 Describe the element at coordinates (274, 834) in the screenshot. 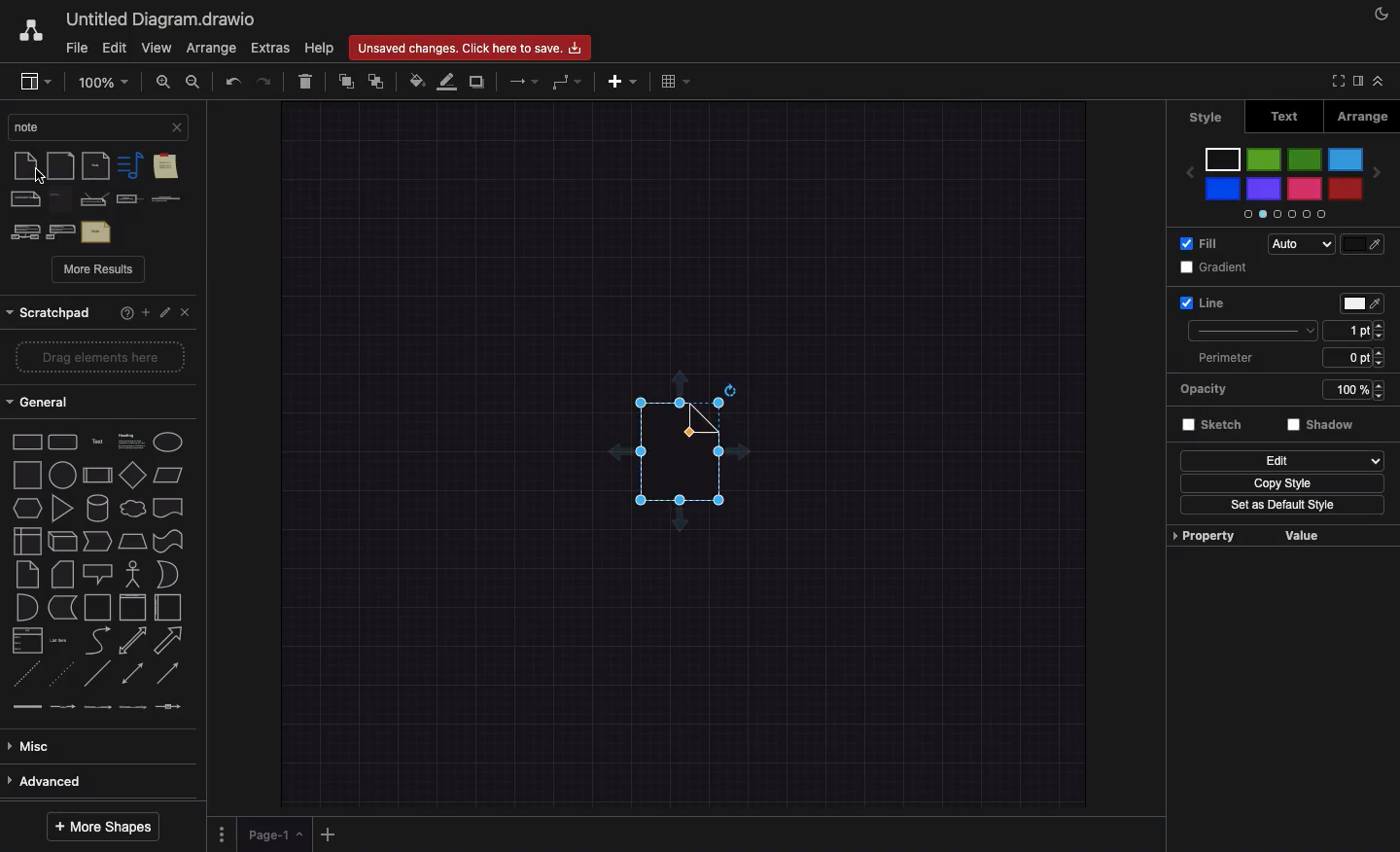

I see `Page 1` at that location.